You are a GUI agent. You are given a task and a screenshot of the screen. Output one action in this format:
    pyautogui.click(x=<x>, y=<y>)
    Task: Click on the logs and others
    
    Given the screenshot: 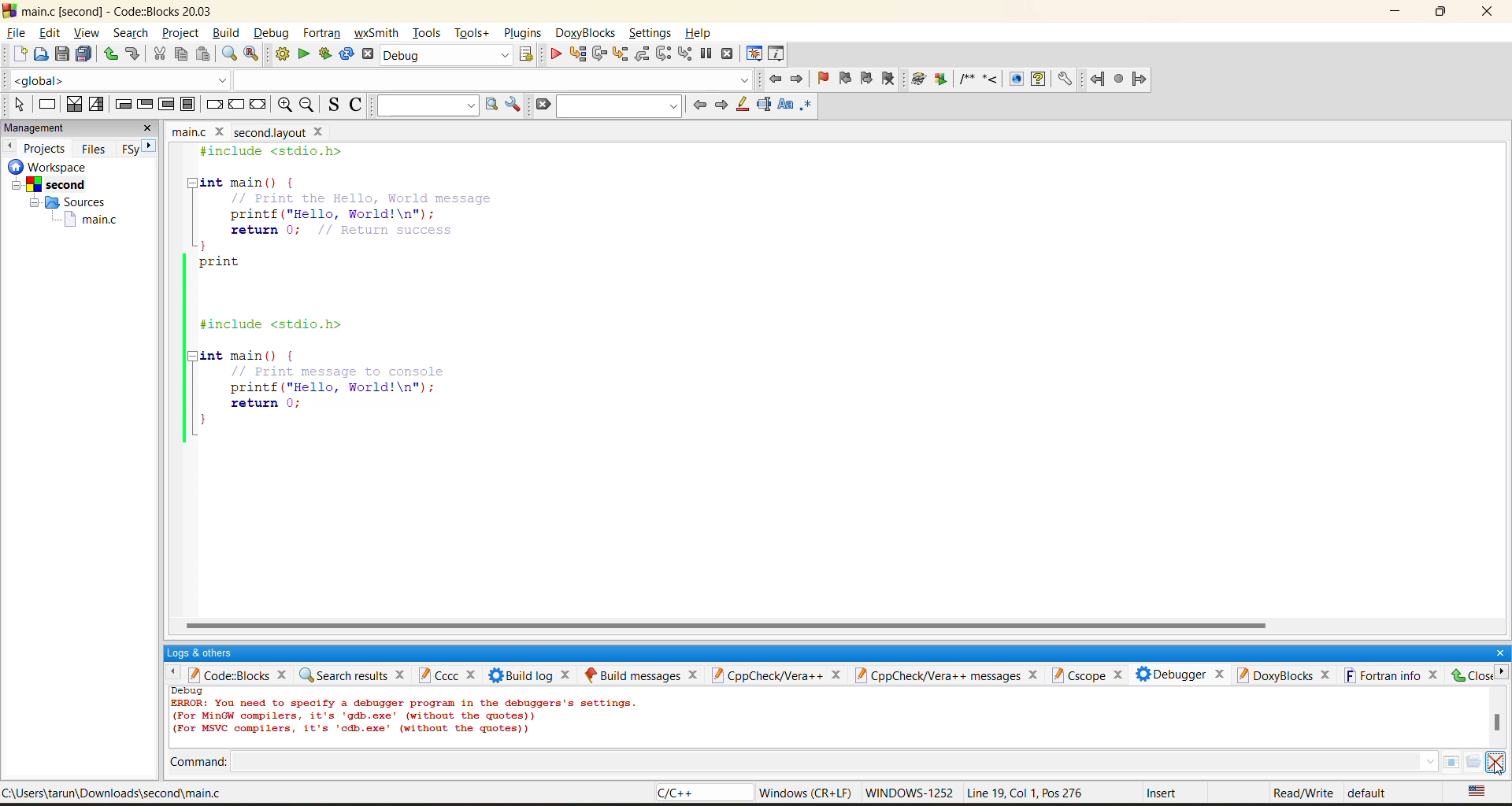 What is the action you would take?
    pyautogui.click(x=206, y=654)
    